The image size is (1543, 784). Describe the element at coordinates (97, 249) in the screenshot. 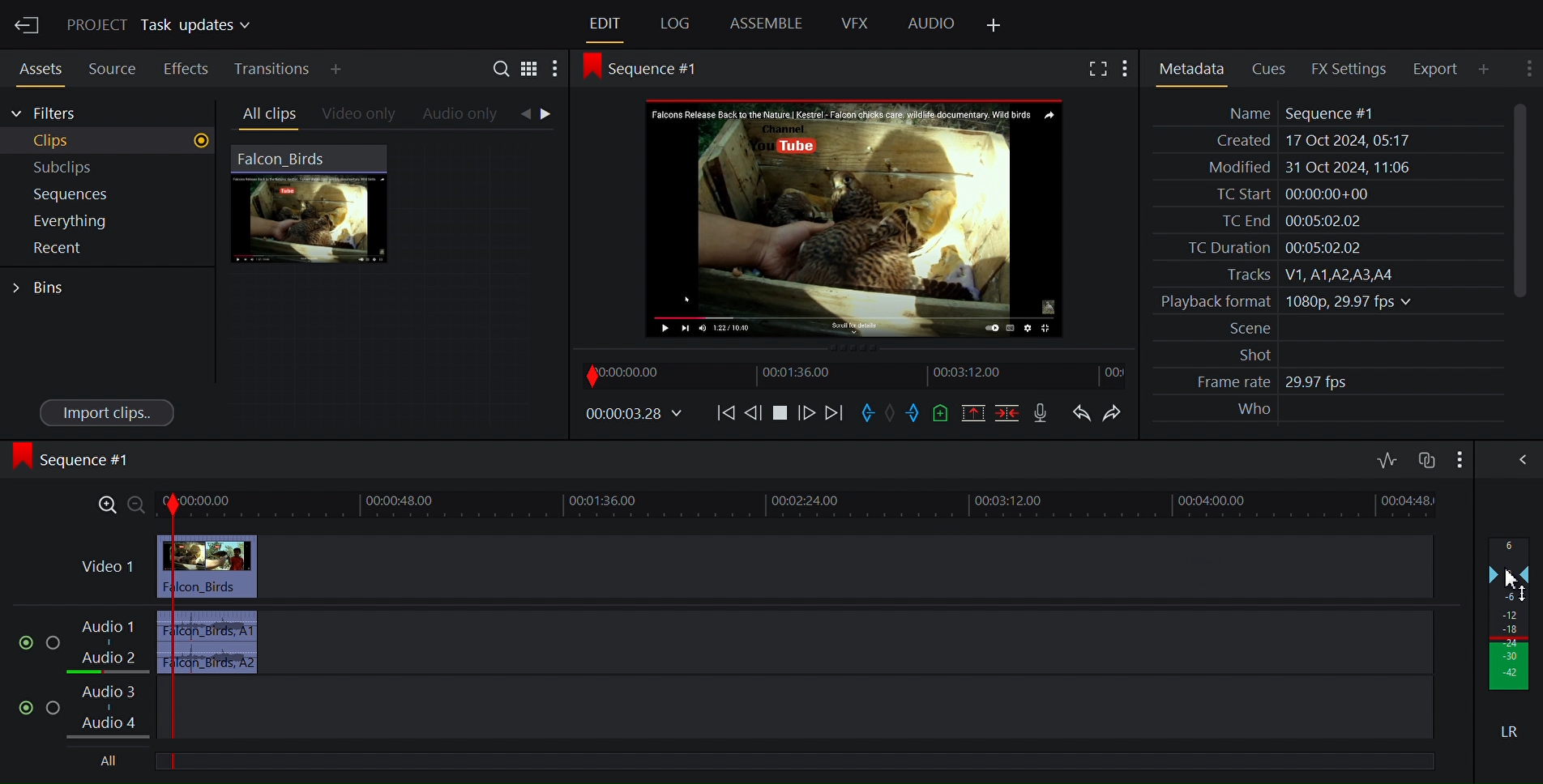

I see `Recent` at that location.